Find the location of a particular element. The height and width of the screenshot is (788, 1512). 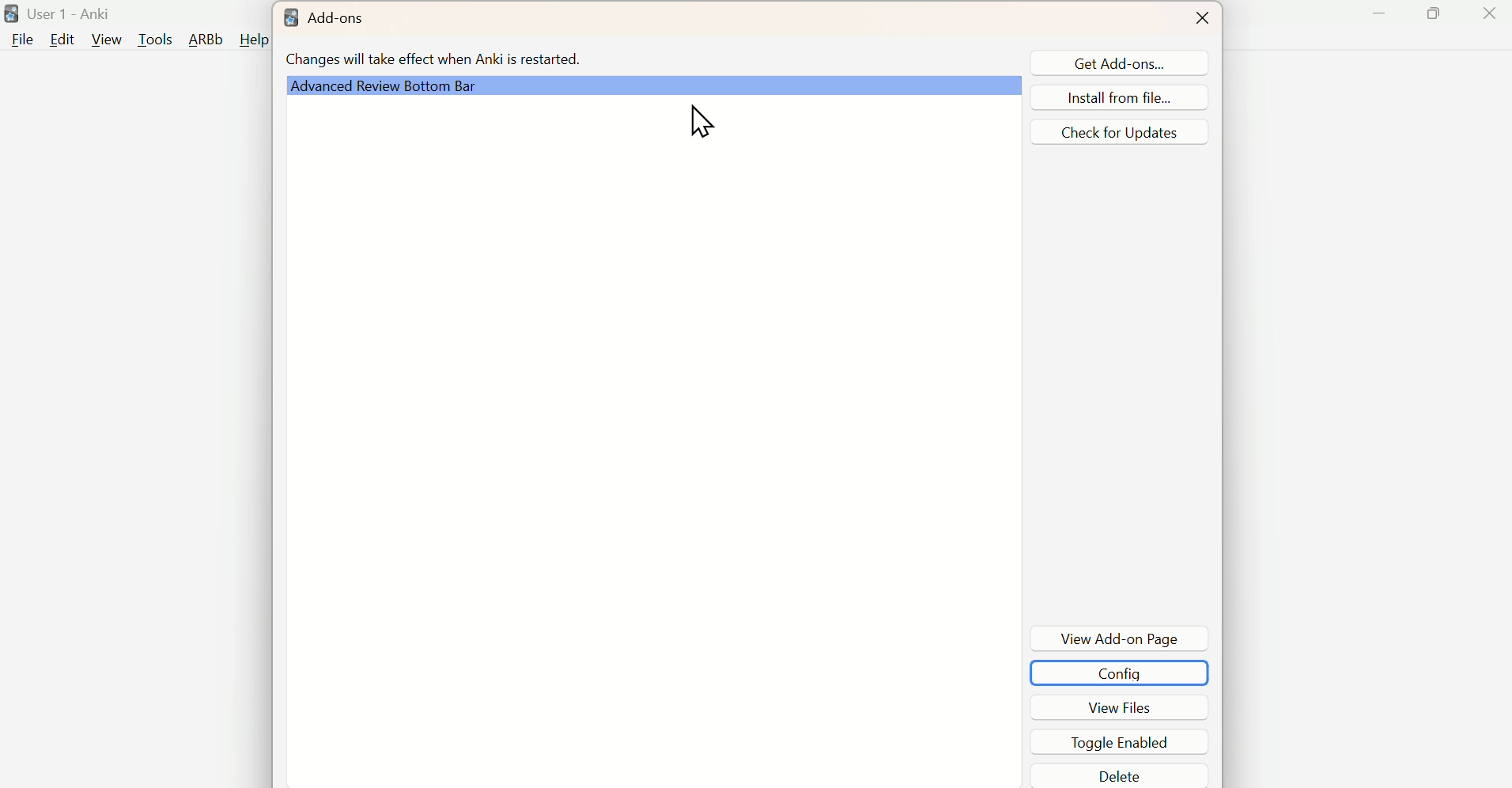

Help is located at coordinates (255, 40).